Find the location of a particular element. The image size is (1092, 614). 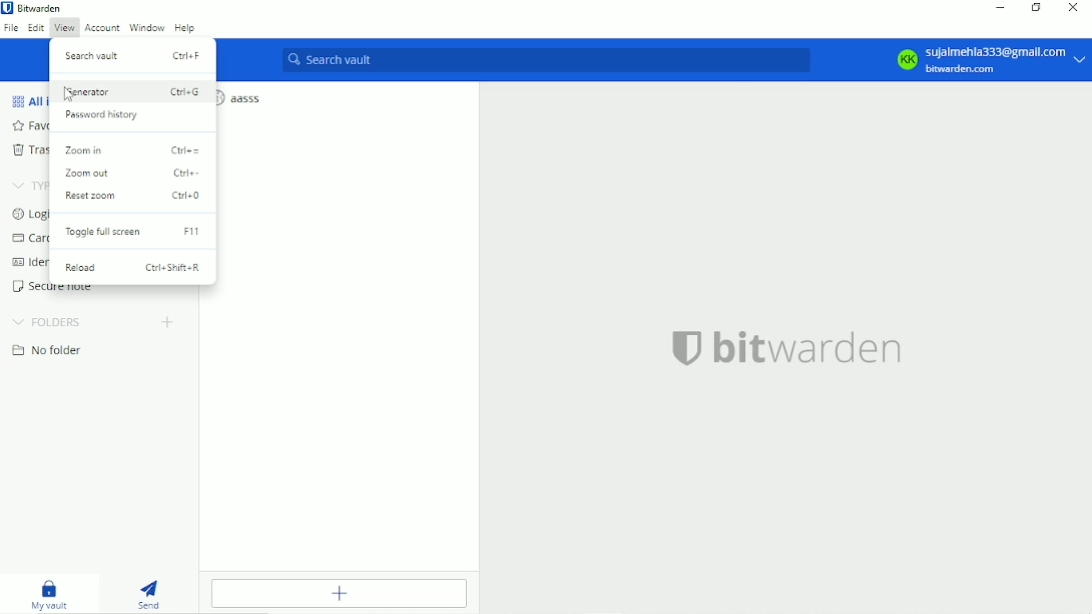

Zoom out is located at coordinates (136, 174).